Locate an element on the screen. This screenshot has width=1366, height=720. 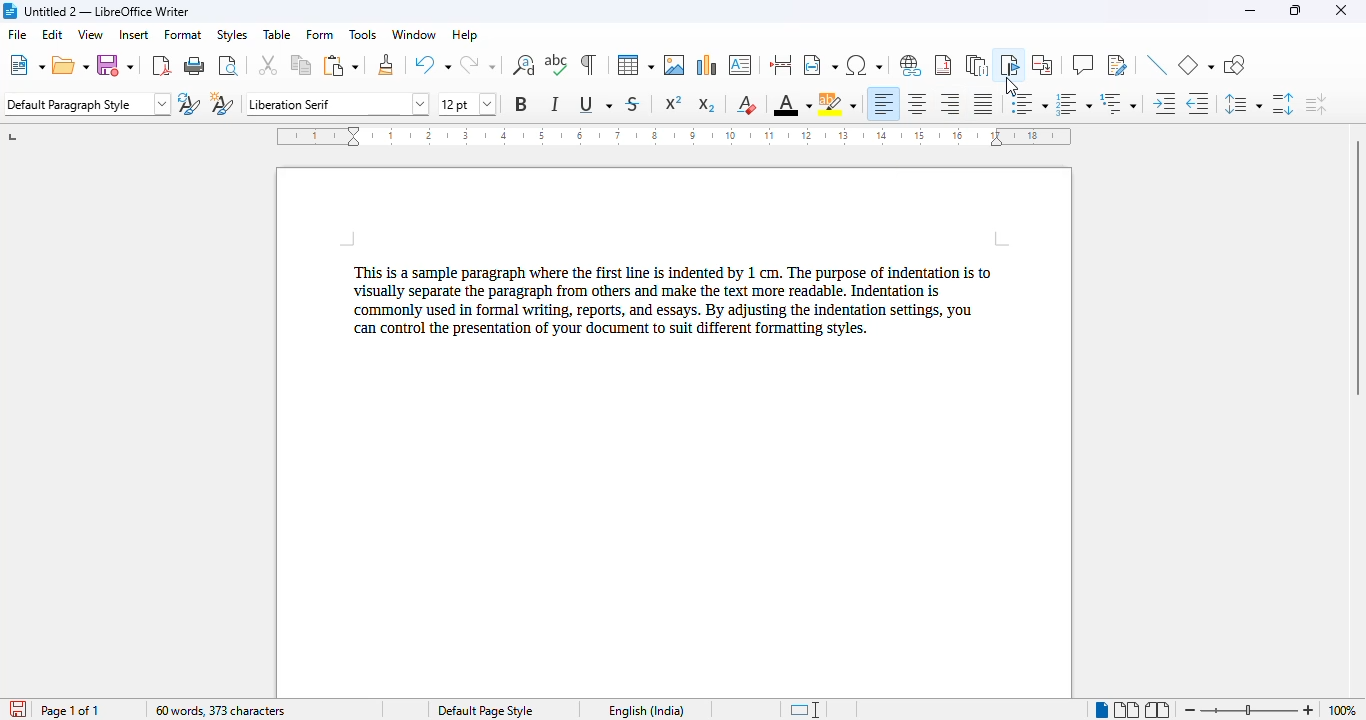
spelling is located at coordinates (557, 64).